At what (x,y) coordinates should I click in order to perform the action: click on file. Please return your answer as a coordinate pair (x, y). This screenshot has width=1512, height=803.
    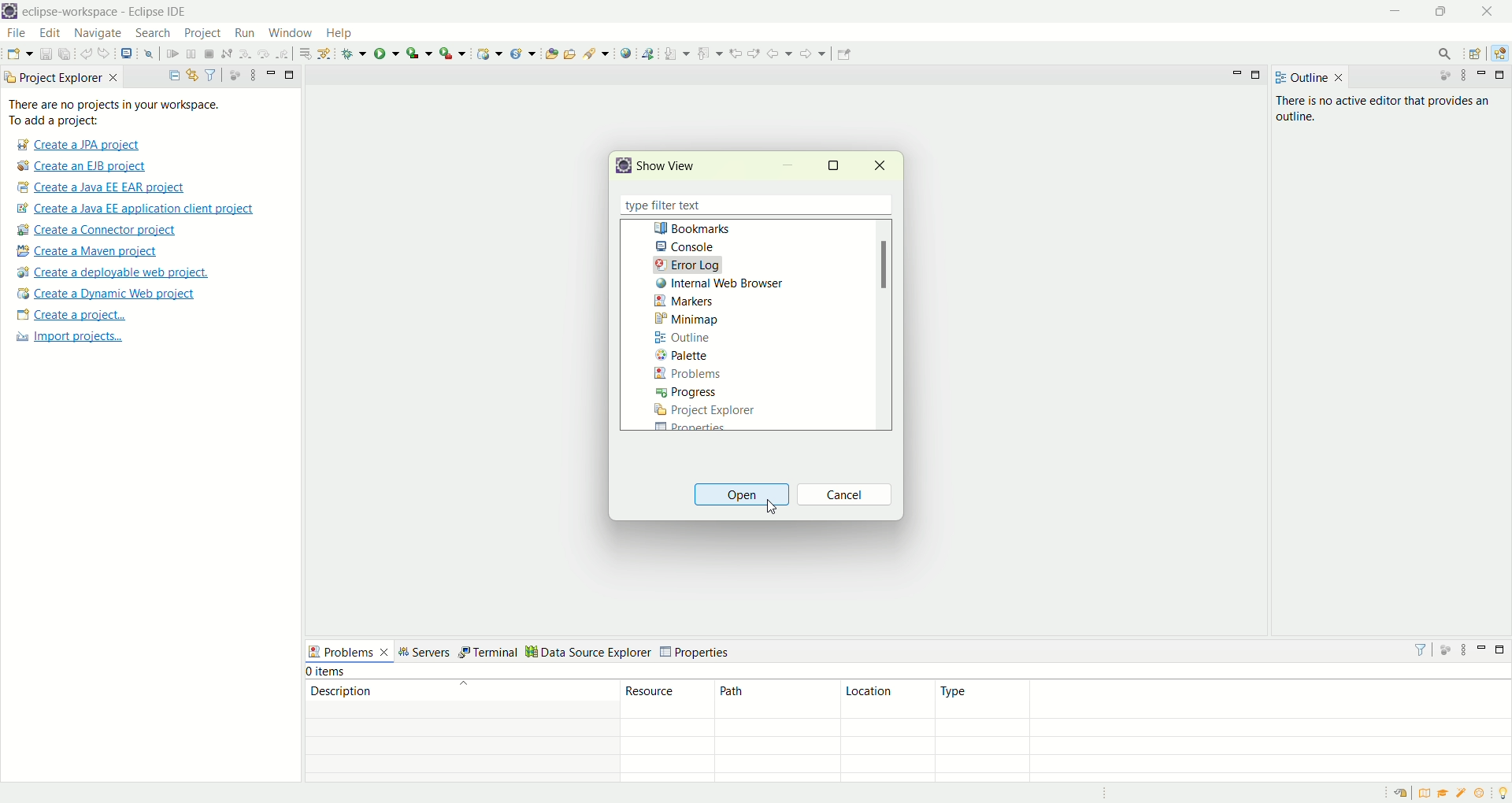
    Looking at the image, I should click on (14, 32).